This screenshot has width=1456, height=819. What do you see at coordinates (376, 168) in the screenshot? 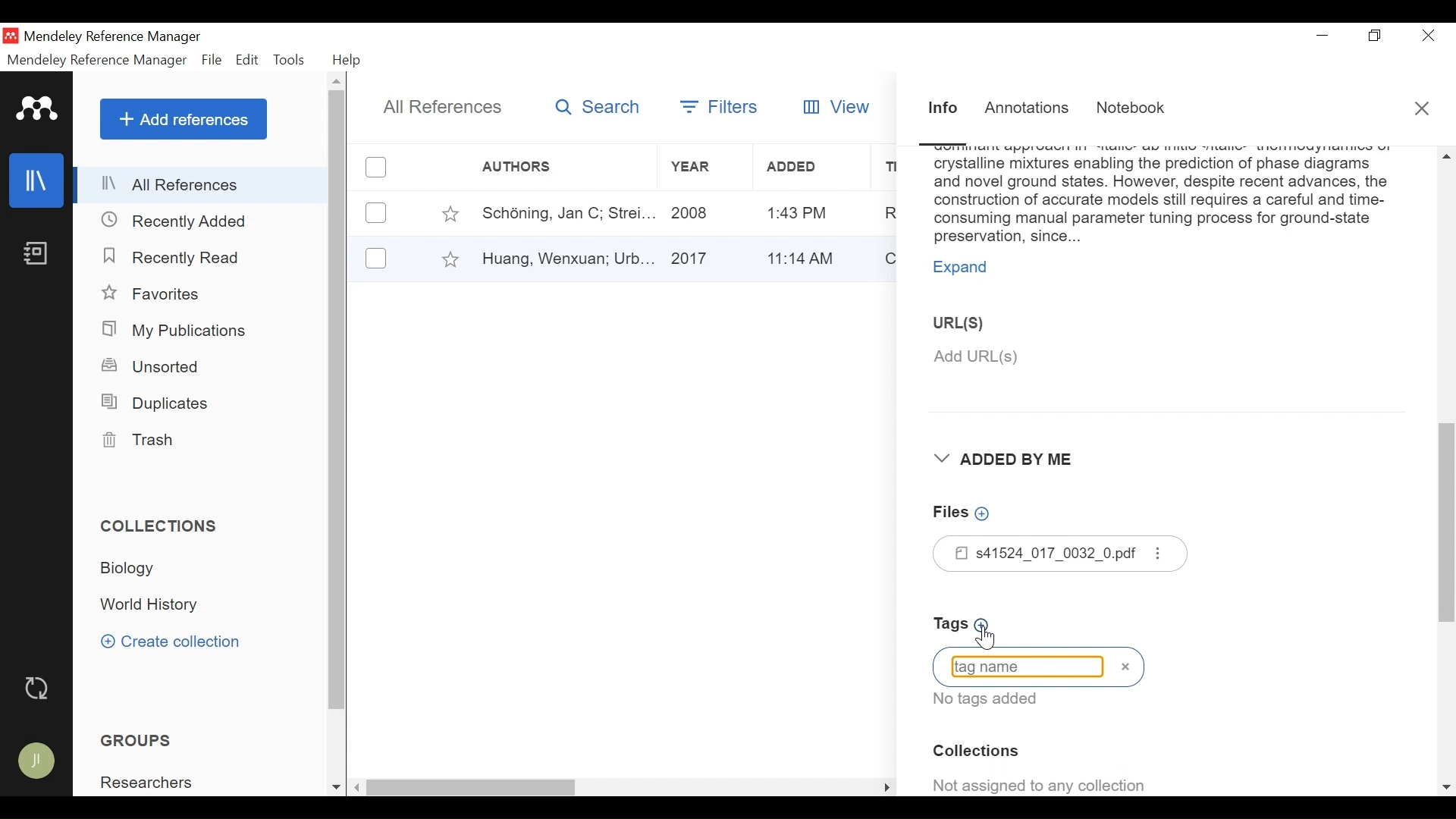
I see `(un)select all` at bounding box center [376, 168].